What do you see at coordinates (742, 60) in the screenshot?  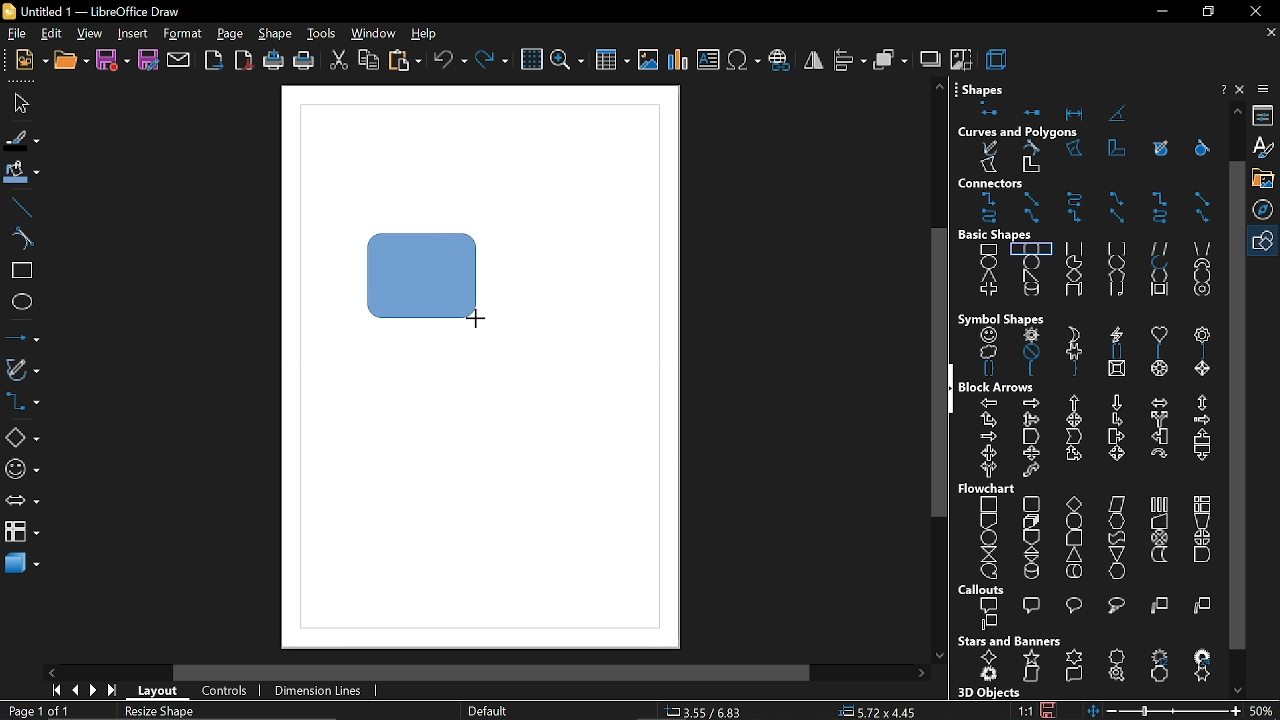 I see `insert symbol` at bounding box center [742, 60].